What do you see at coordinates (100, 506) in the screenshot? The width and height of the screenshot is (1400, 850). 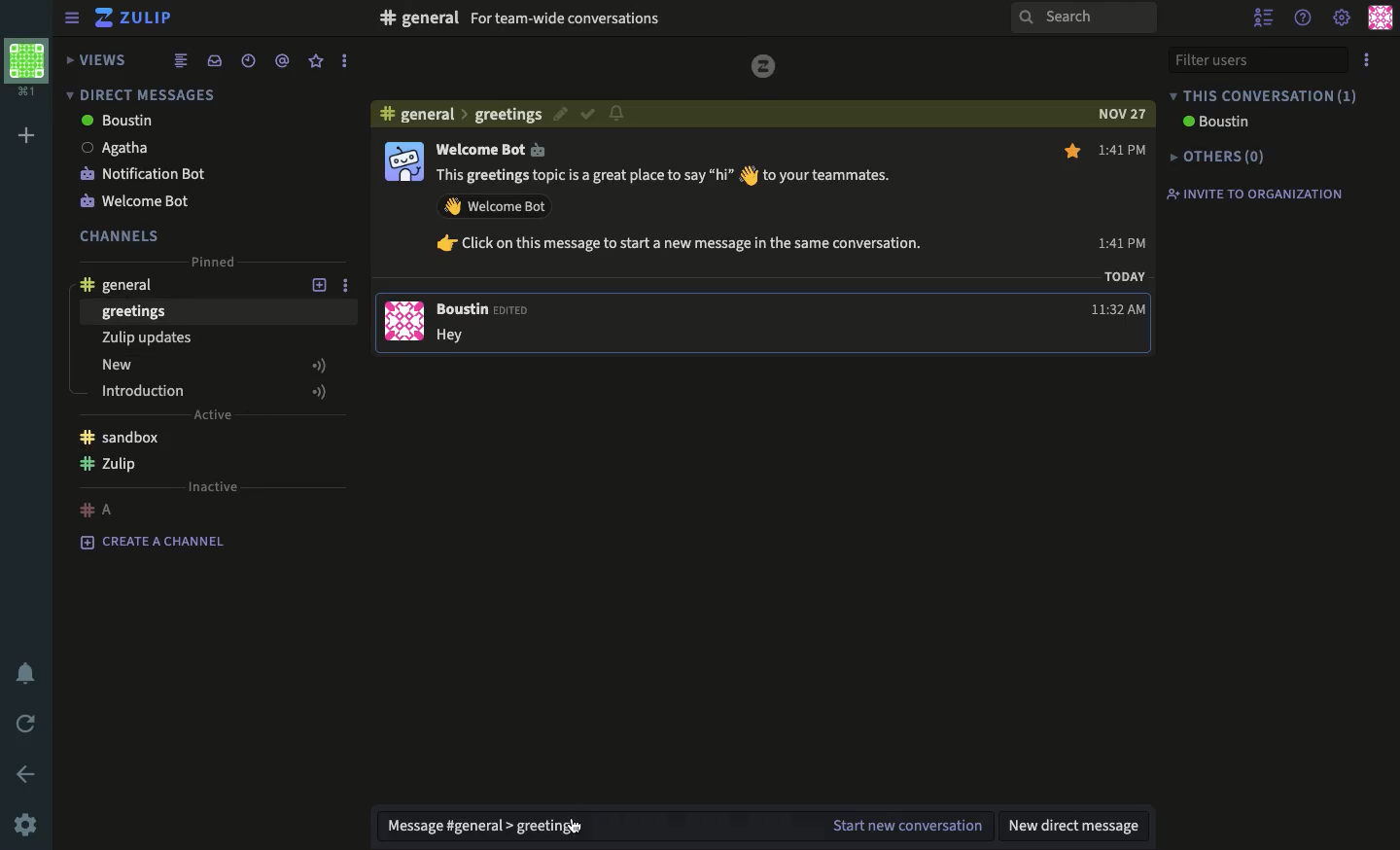 I see `#A` at bounding box center [100, 506].